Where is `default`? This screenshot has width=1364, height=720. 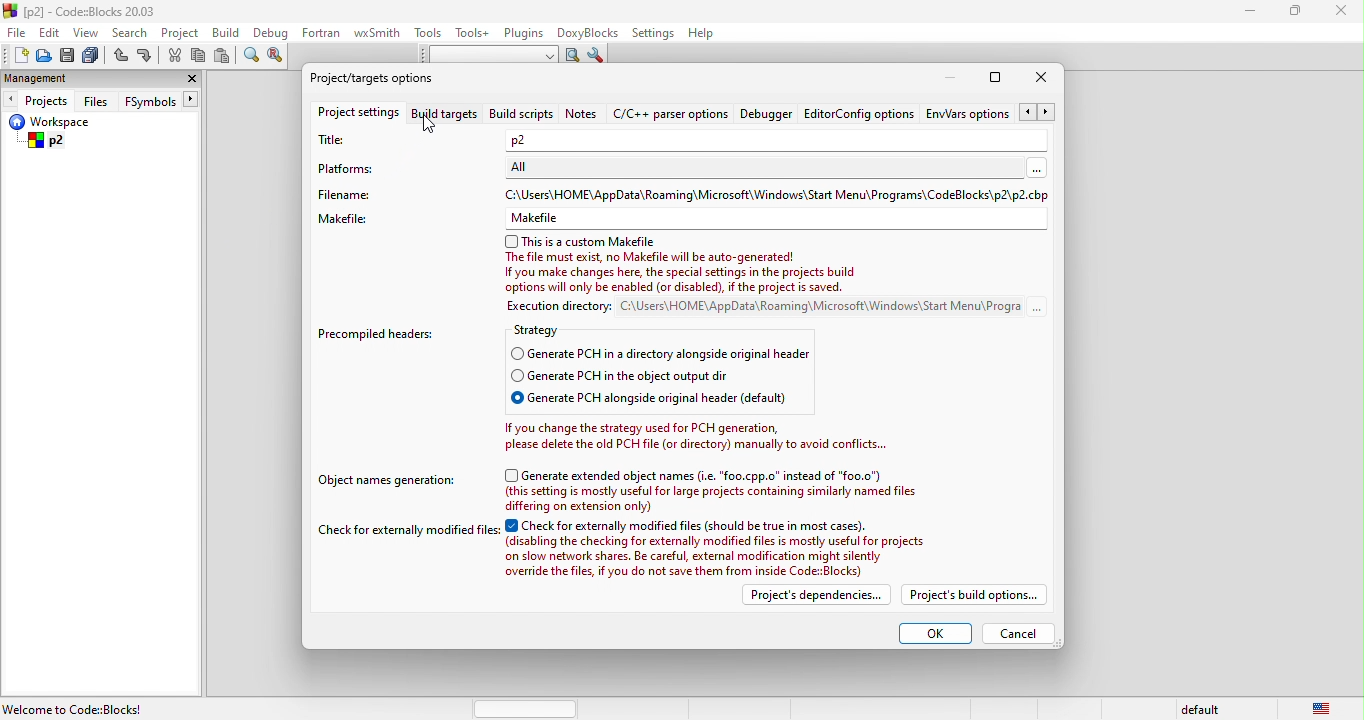 default is located at coordinates (1197, 709).